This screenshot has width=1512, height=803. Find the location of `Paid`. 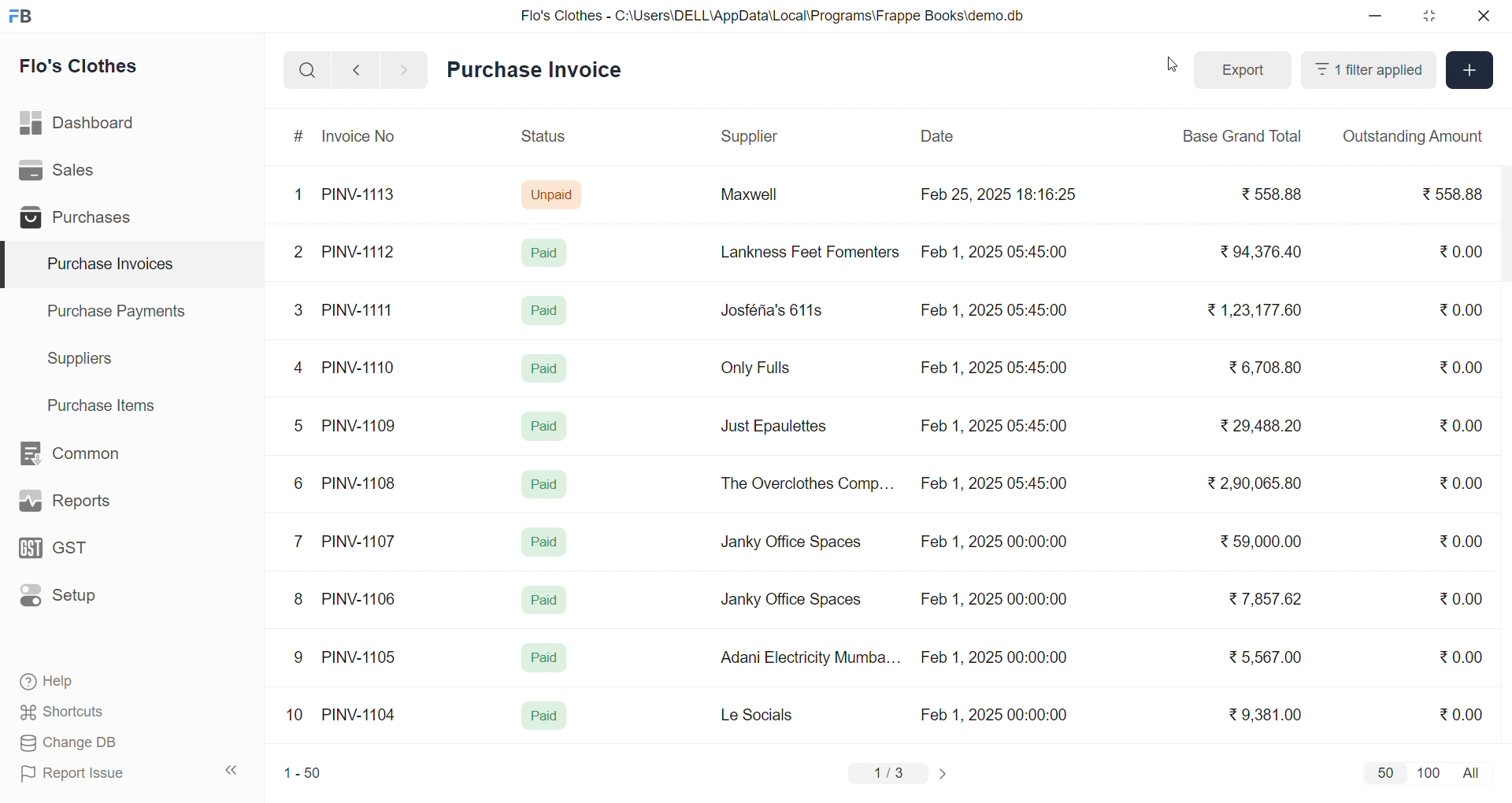

Paid is located at coordinates (543, 367).